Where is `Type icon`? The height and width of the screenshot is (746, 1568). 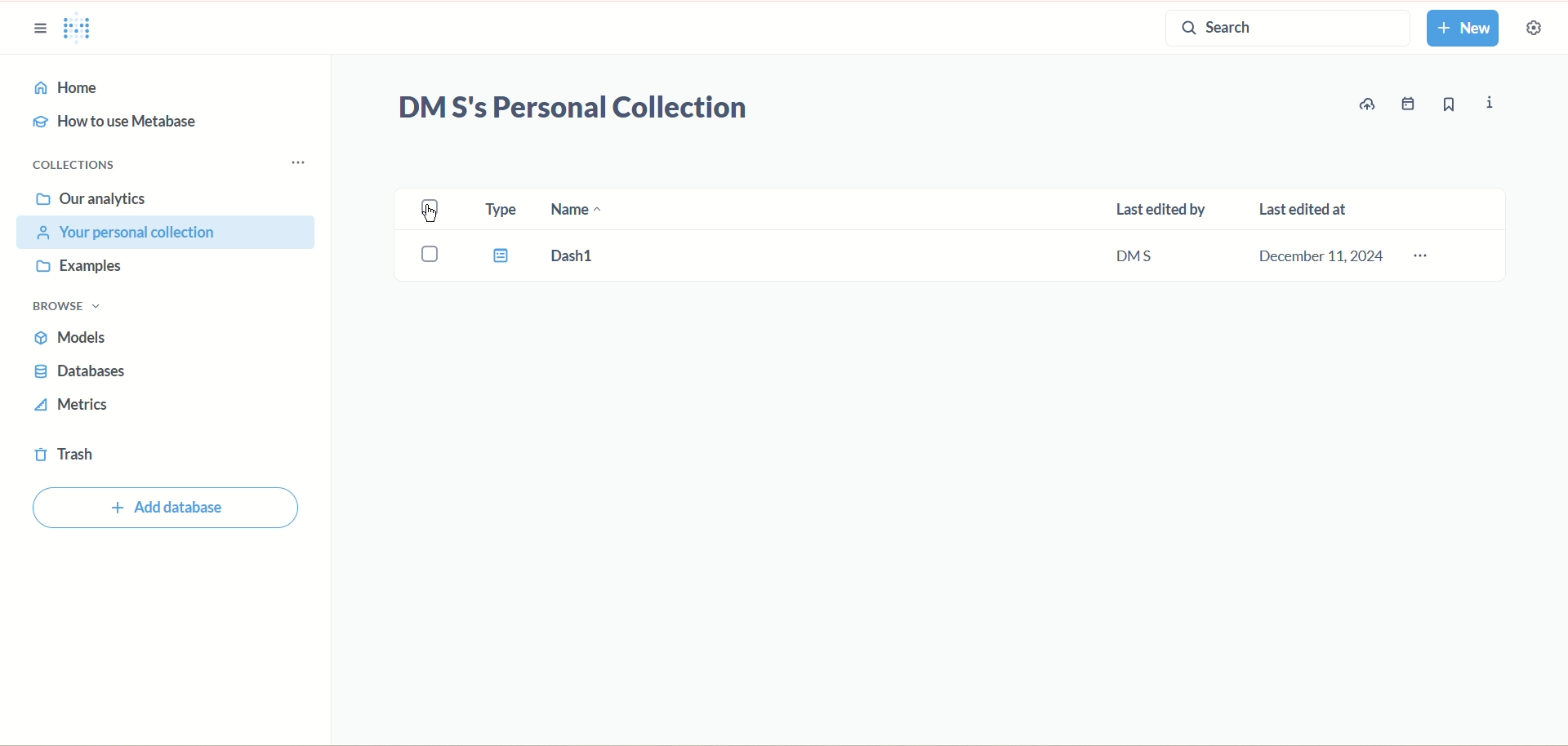 Type icon is located at coordinates (497, 255).